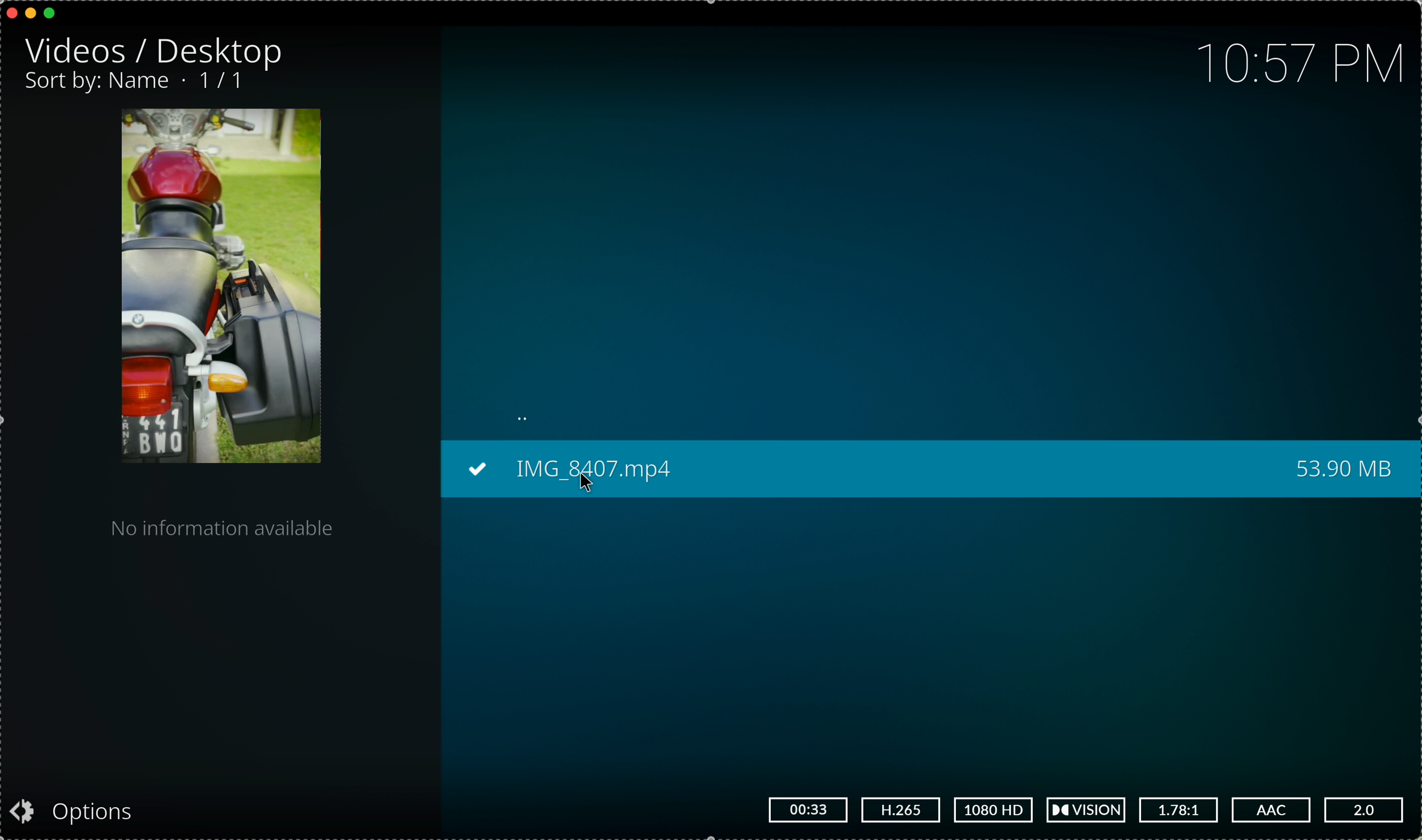 The width and height of the screenshot is (1422, 840). What do you see at coordinates (135, 83) in the screenshot?
I see `Sort by:Name . 1/1` at bounding box center [135, 83].